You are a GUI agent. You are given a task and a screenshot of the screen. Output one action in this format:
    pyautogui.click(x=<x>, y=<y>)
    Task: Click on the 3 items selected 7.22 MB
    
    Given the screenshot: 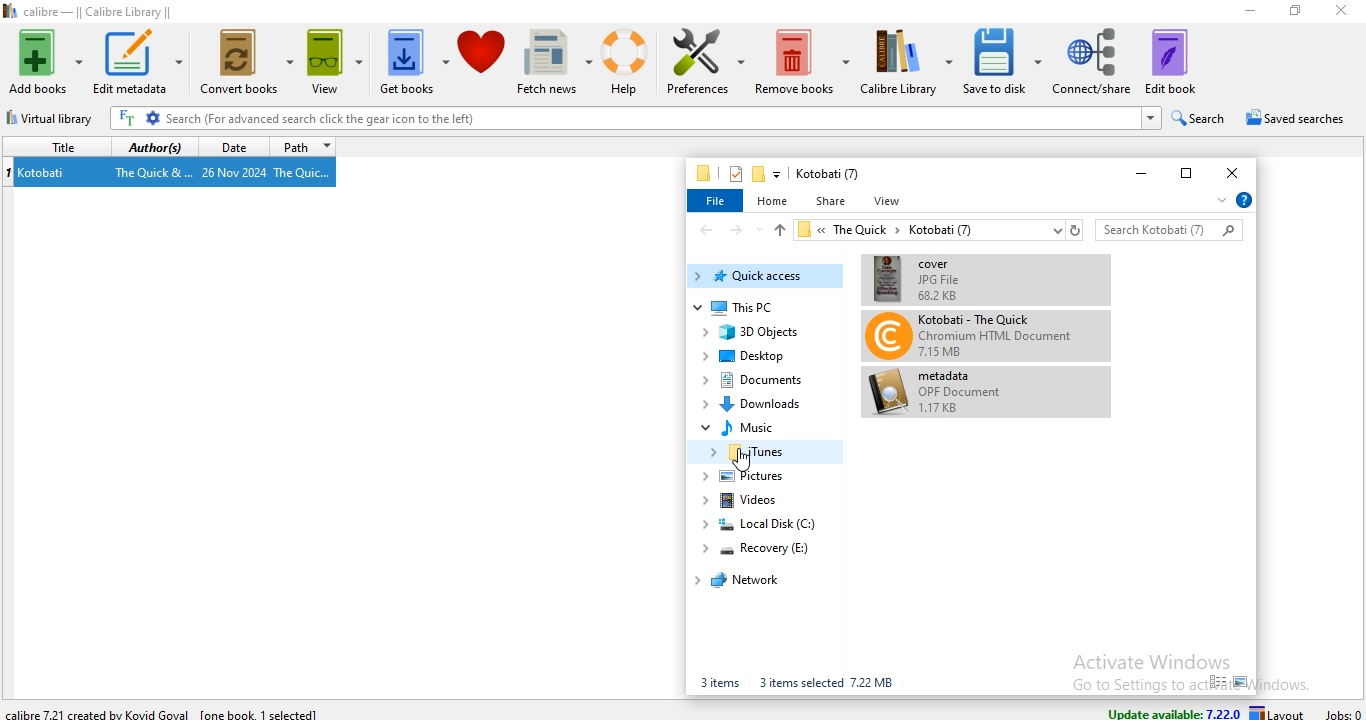 What is the action you would take?
    pyautogui.click(x=828, y=682)
    